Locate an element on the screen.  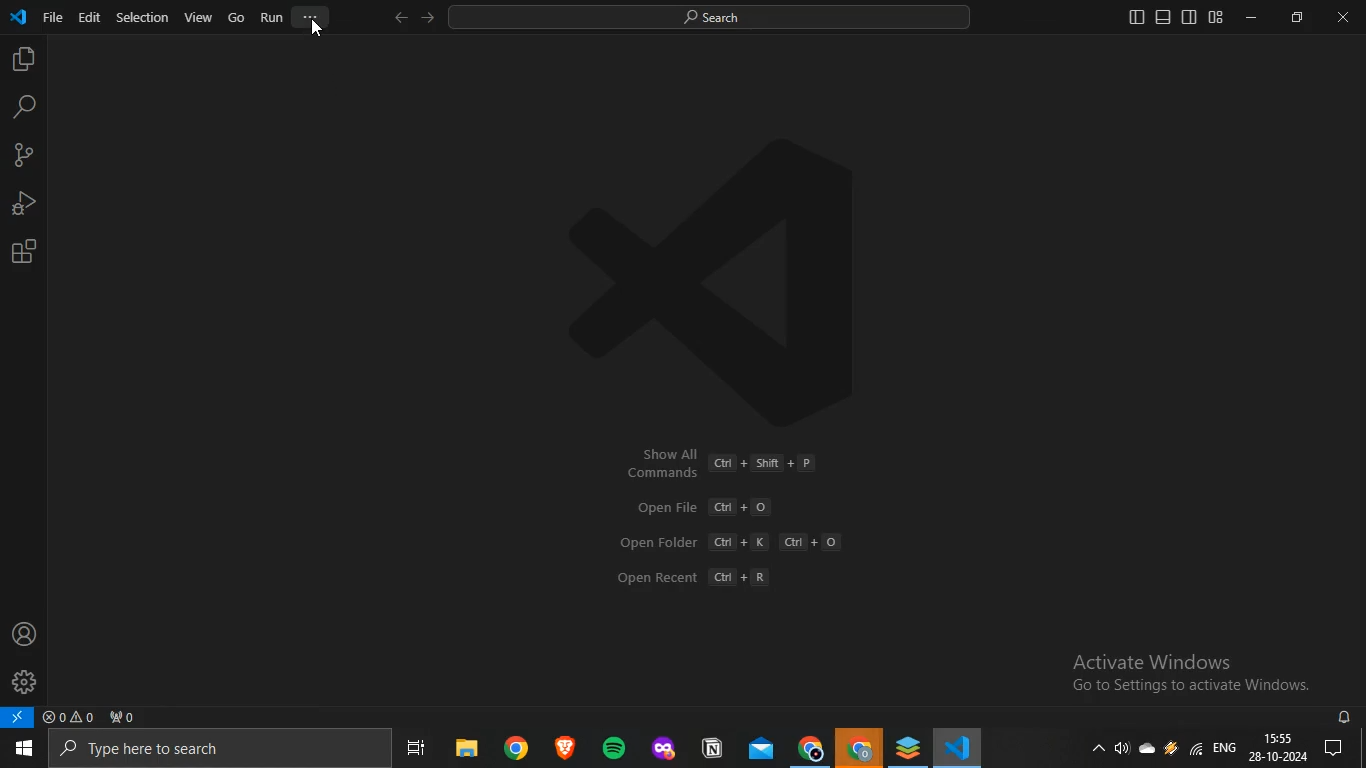
Activate Windows
Go to Settings to activate Windows. is located at coordinates (1172, 670).